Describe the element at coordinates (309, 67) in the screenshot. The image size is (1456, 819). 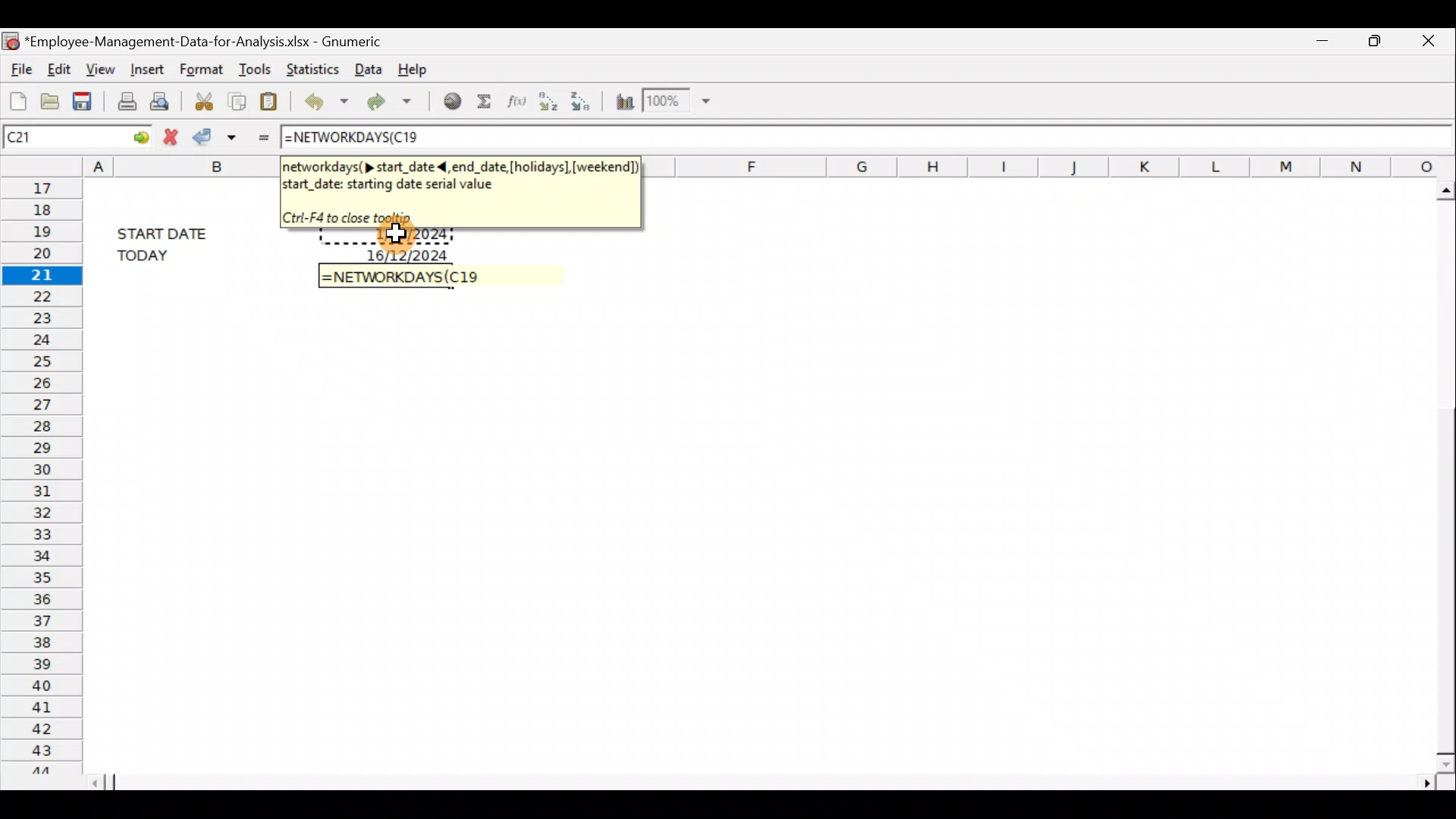
I see `Statistics` at that location.